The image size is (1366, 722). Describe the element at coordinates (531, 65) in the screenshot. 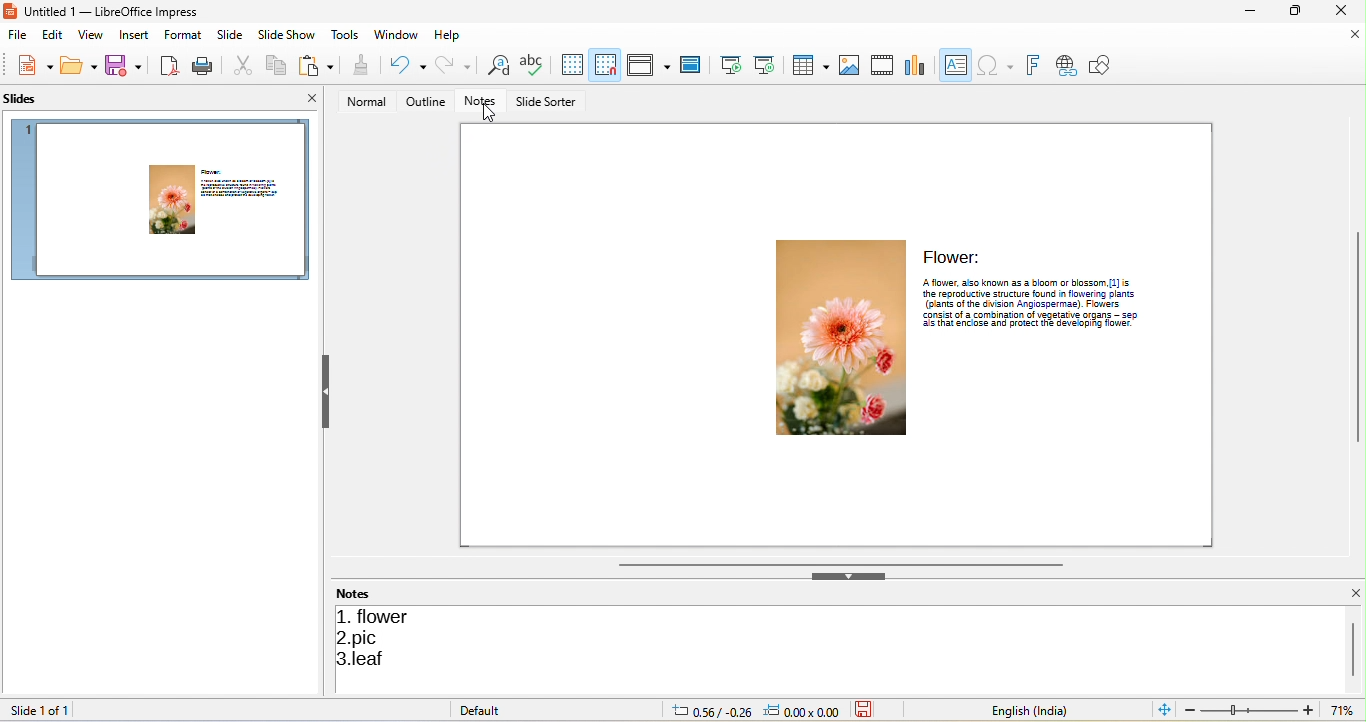

I see `spelling` at that location.